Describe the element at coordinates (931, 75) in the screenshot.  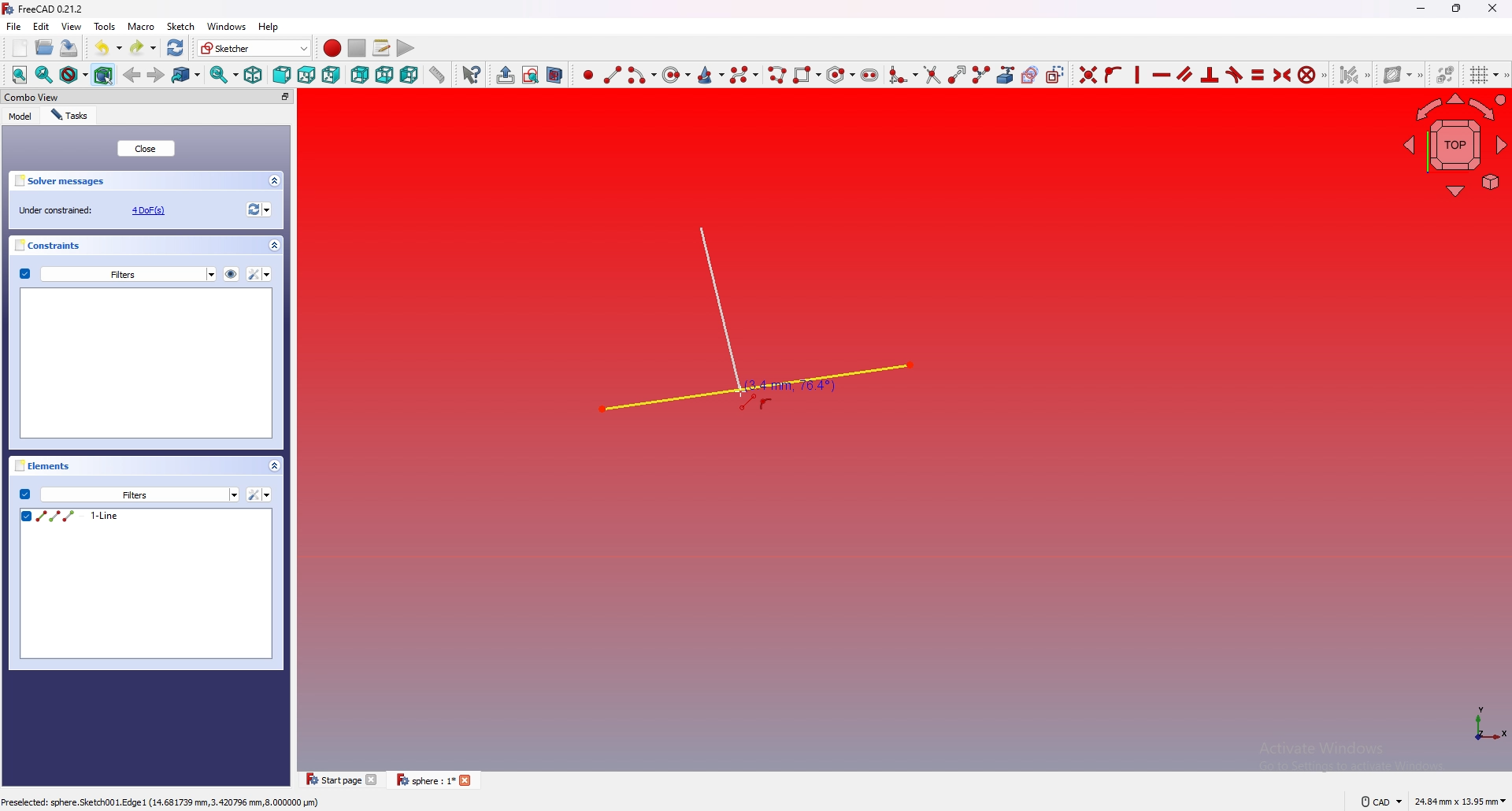
I see `Trim edge` at that location.